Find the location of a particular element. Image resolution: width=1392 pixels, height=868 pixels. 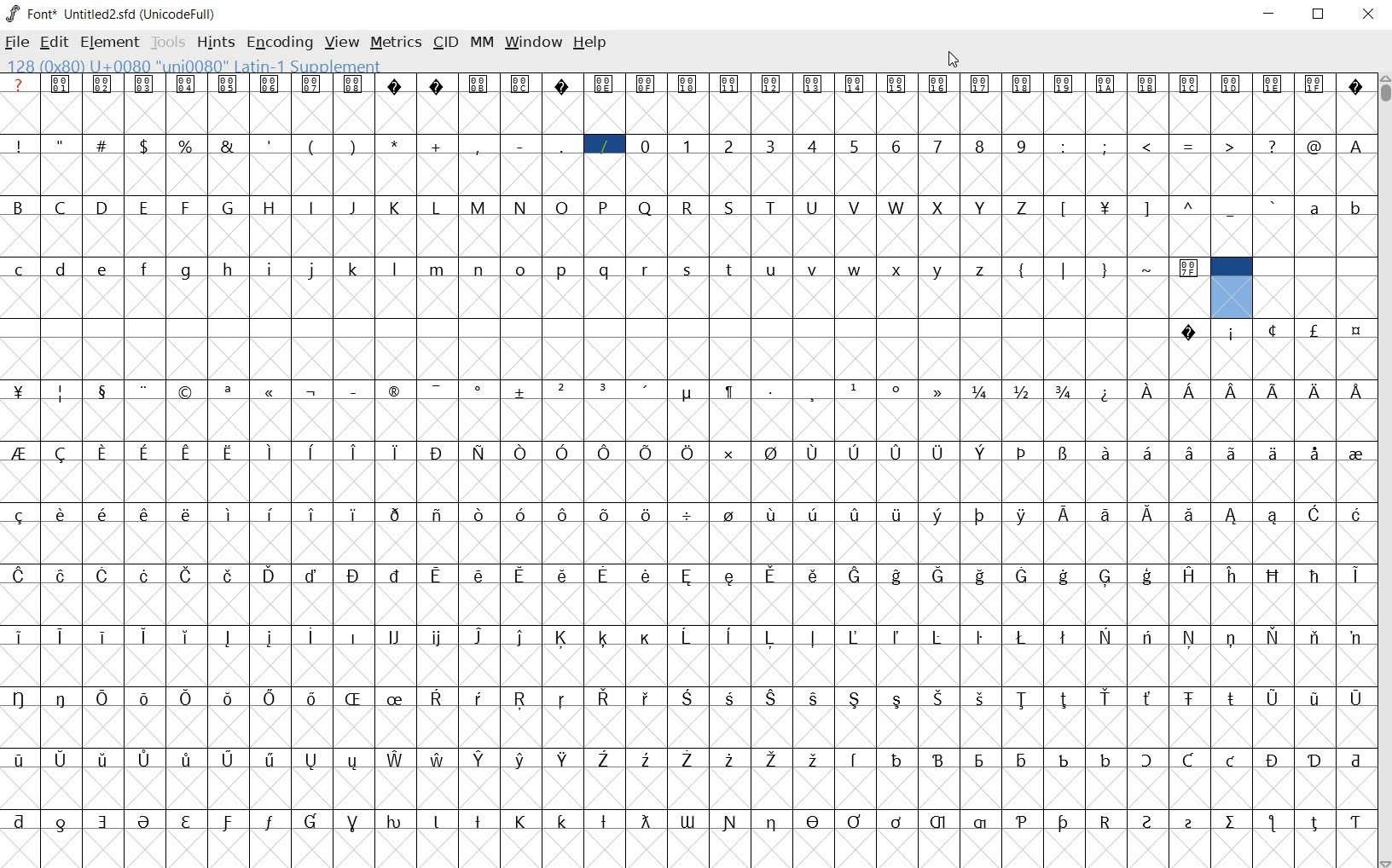

8 is located at coordinates (982, 146).